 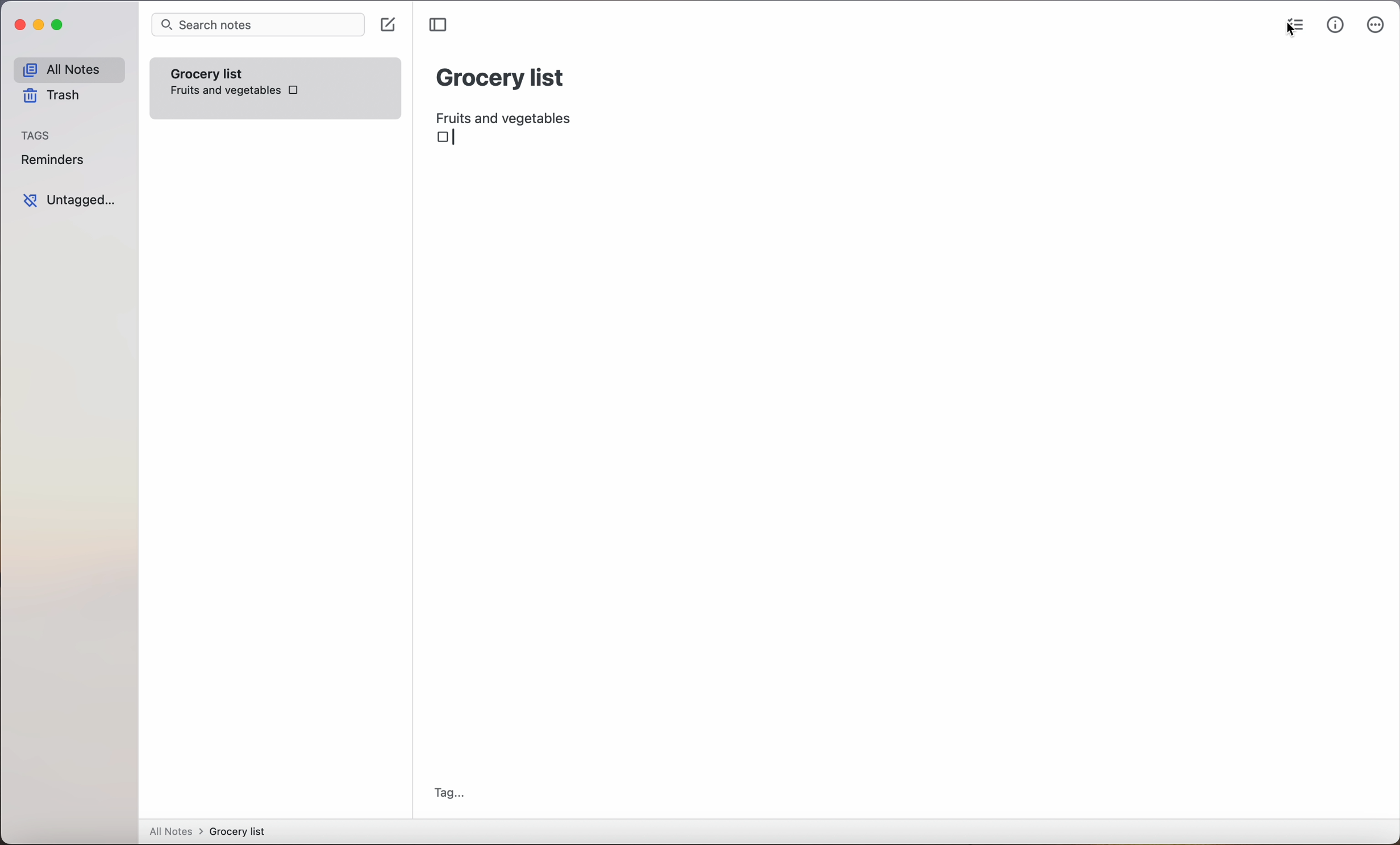 I want to click on search bar, so click(x=257, y=26).